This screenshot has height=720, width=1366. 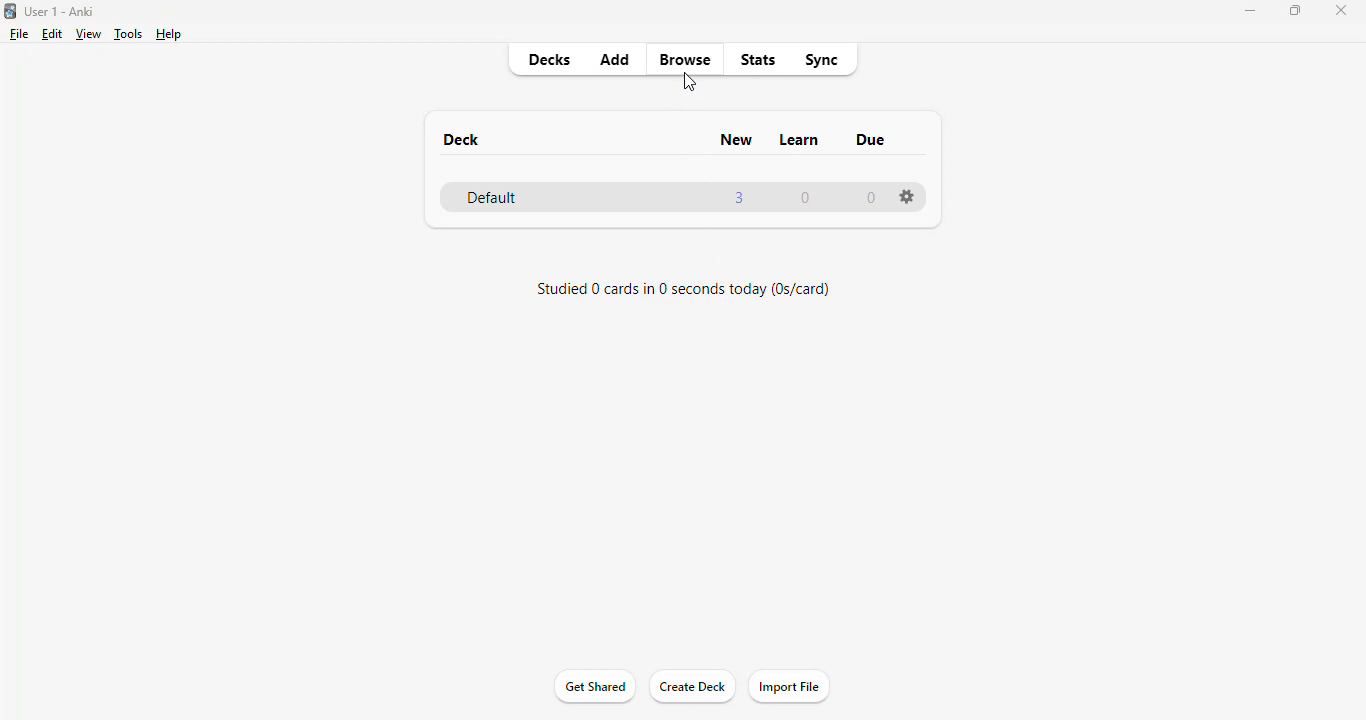 I want to click on file, so click(x=19, y=34).